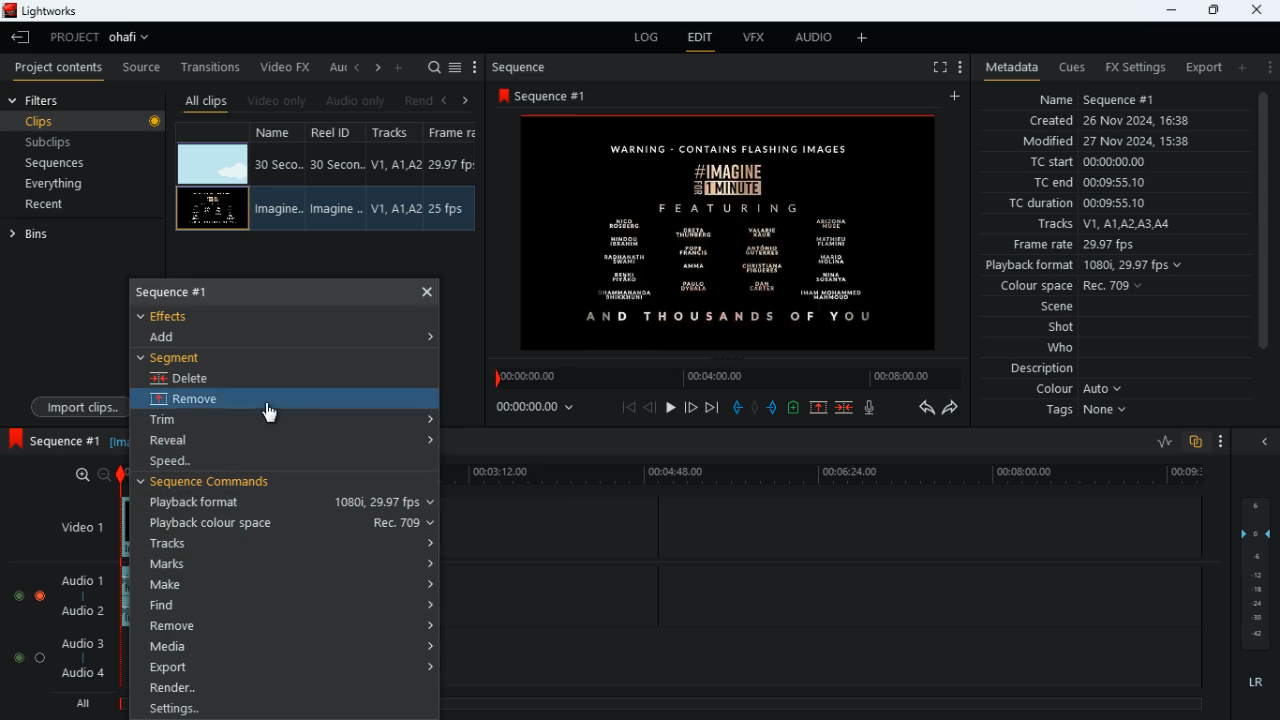  Describe the element at coordinates (82, 579) in the screenshot. I see `audio 1` at that location.